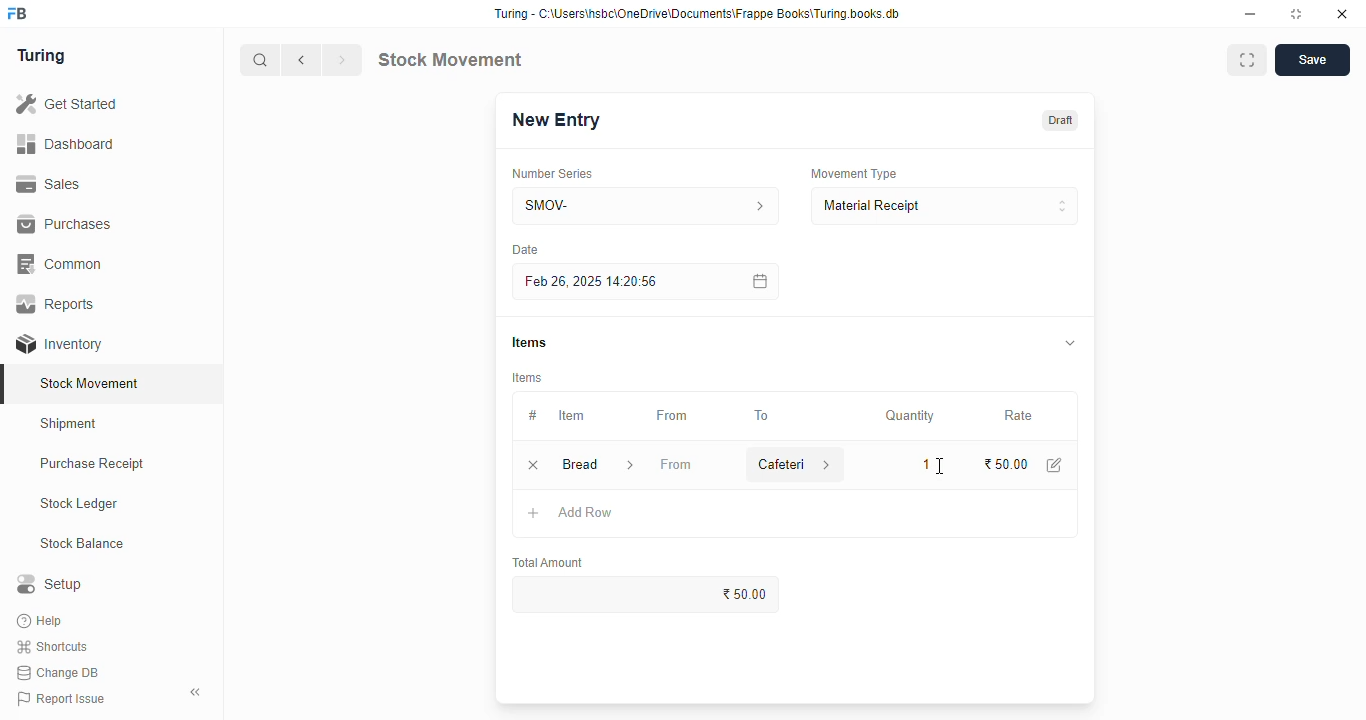 The image size is (1366, 720). I want to click on search, so click(261, 60).